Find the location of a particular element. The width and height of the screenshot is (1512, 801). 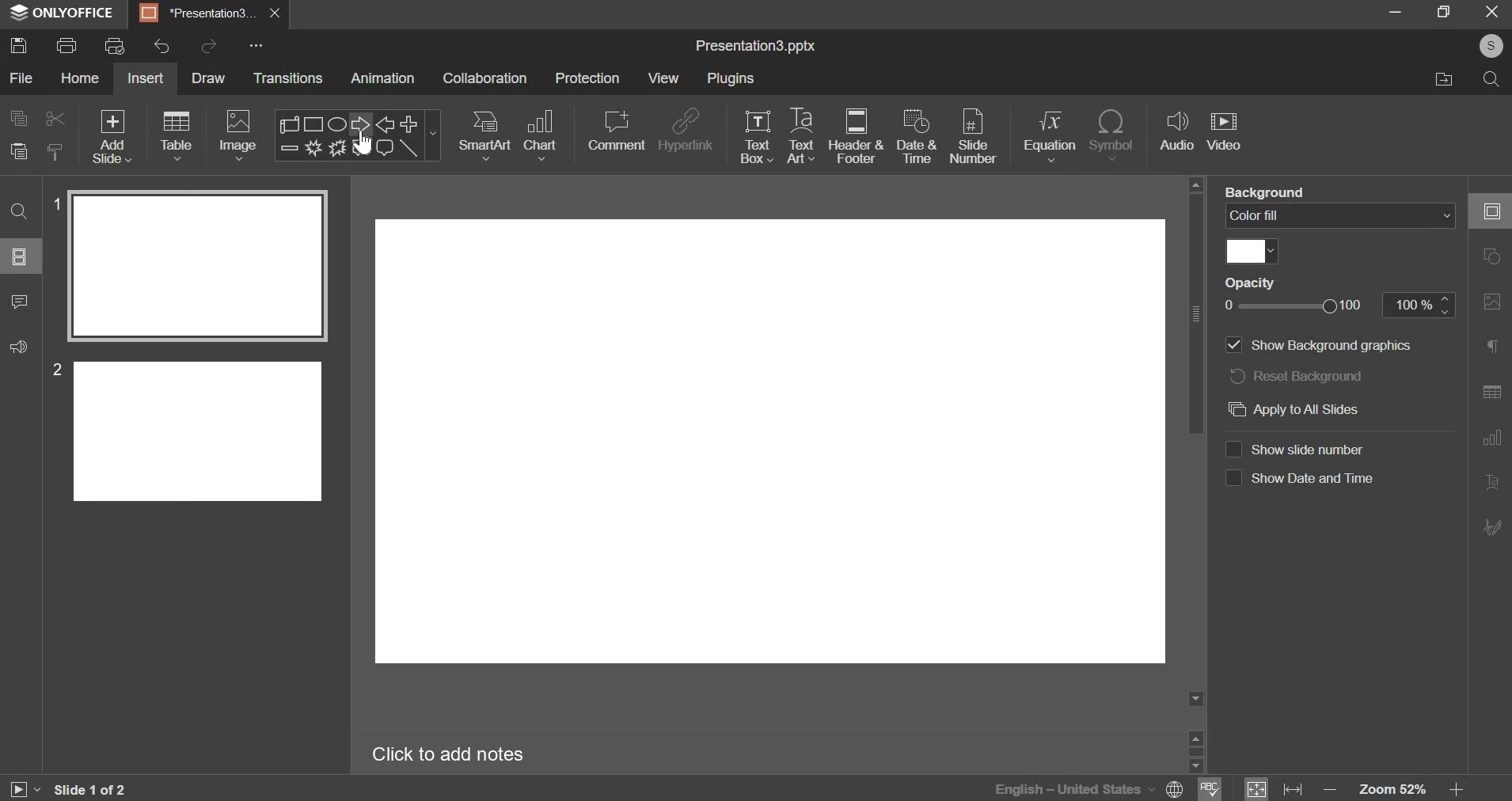

image is located at coordinates (237, 135).